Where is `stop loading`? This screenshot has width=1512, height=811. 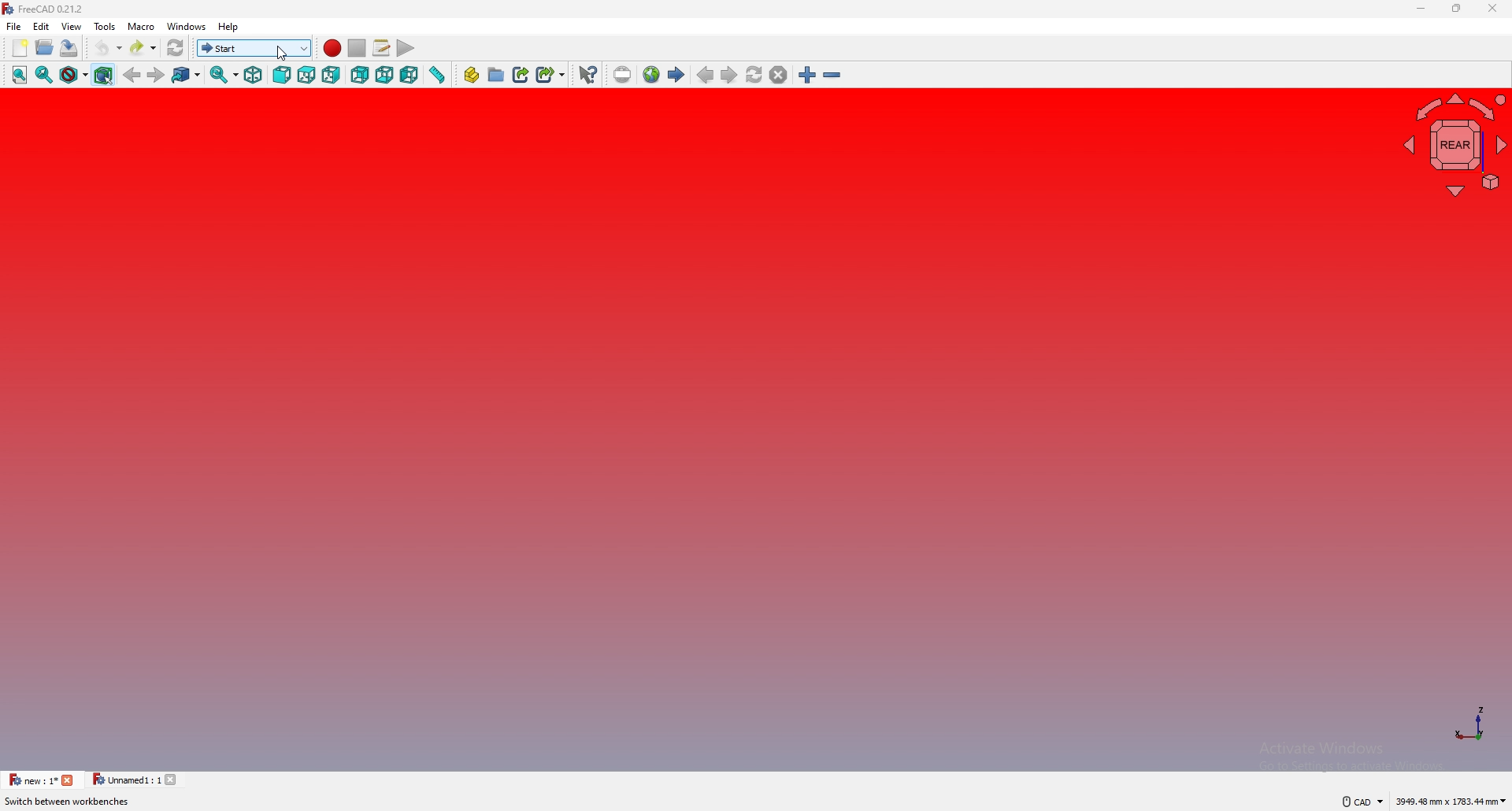 stop loading is located at coordinates (779, 74).